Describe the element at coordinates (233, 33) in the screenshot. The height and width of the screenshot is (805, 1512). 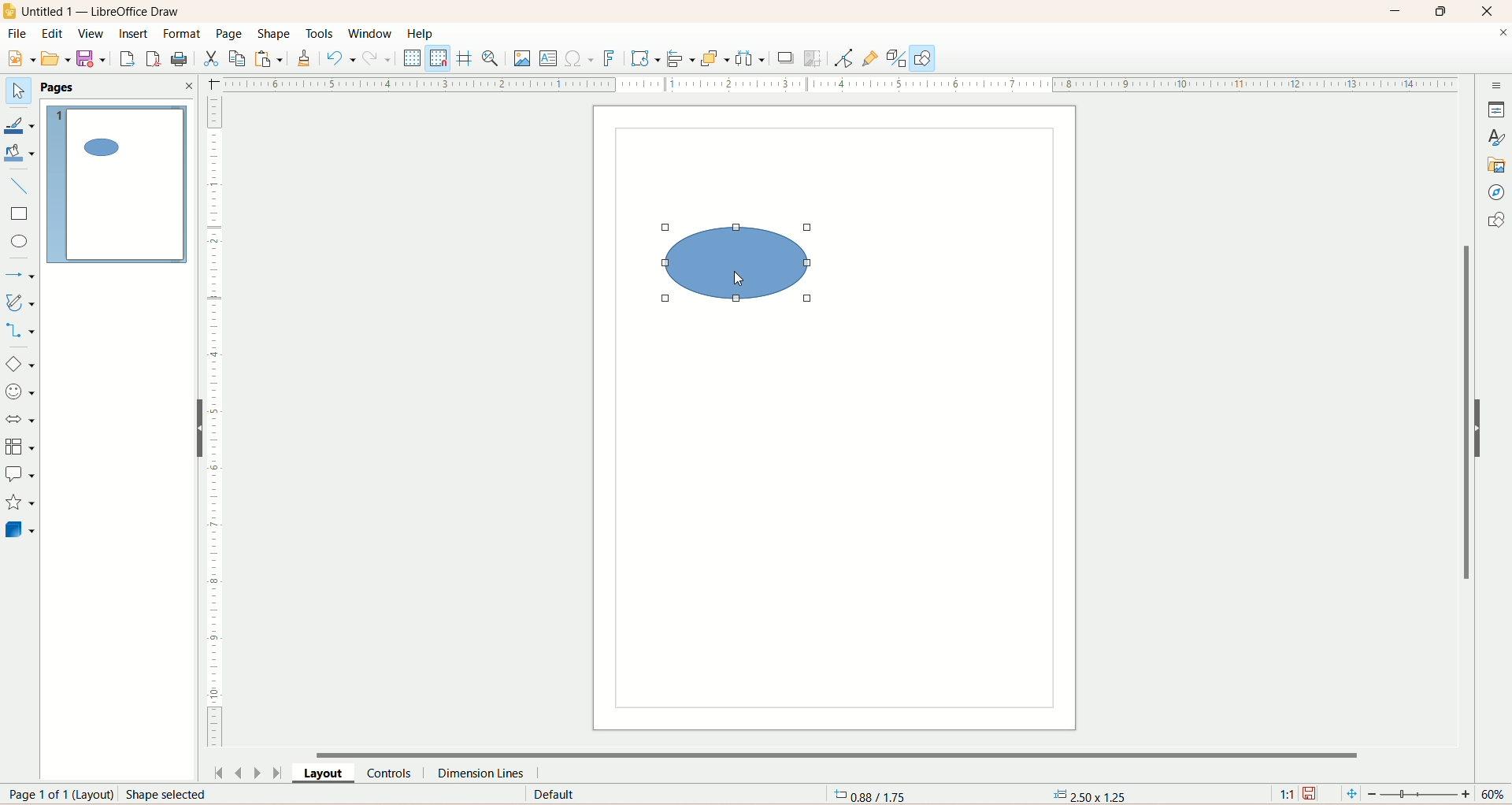
I see `page` at that location.